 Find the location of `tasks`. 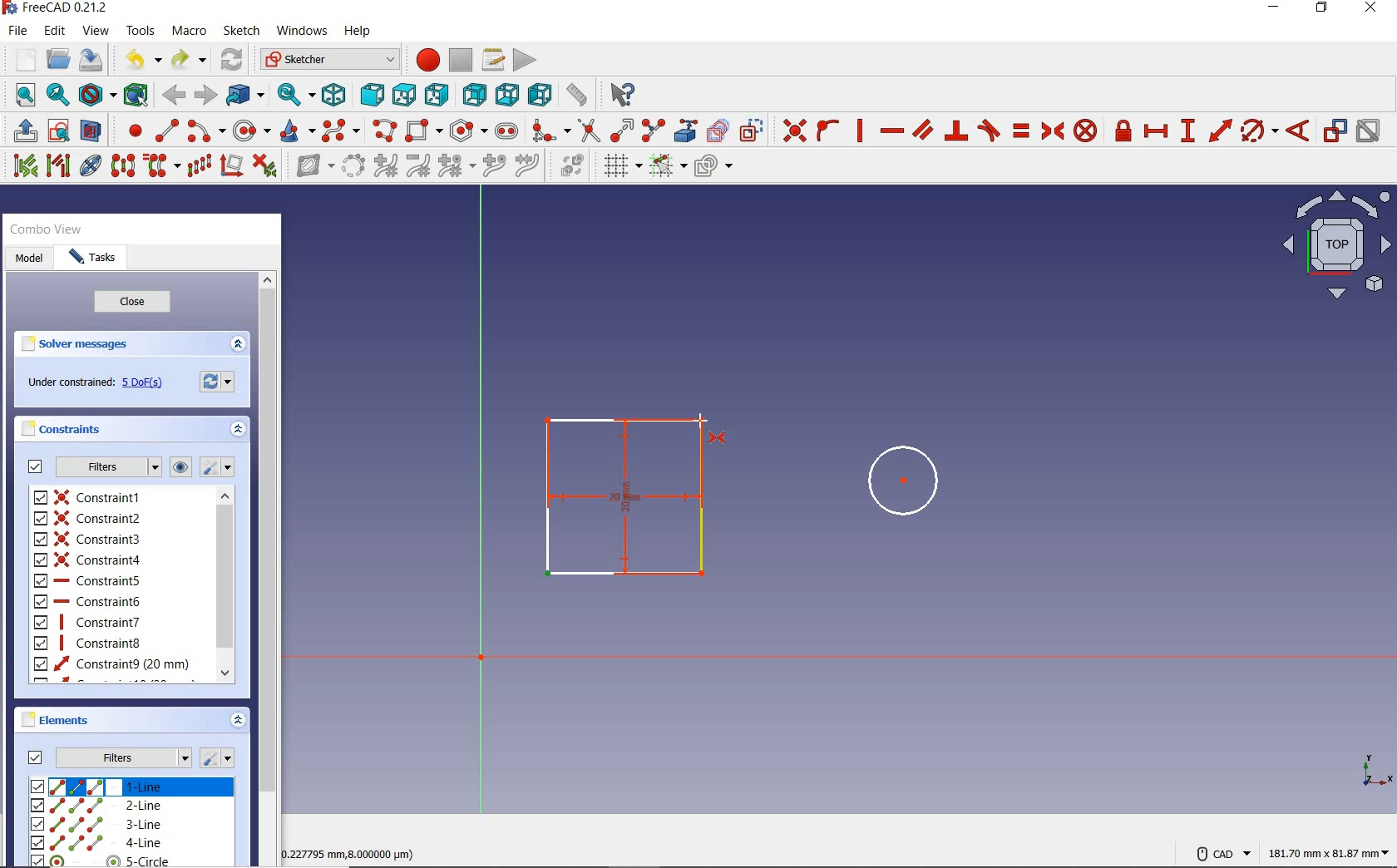

tasks is located at coordinates (96, 257).